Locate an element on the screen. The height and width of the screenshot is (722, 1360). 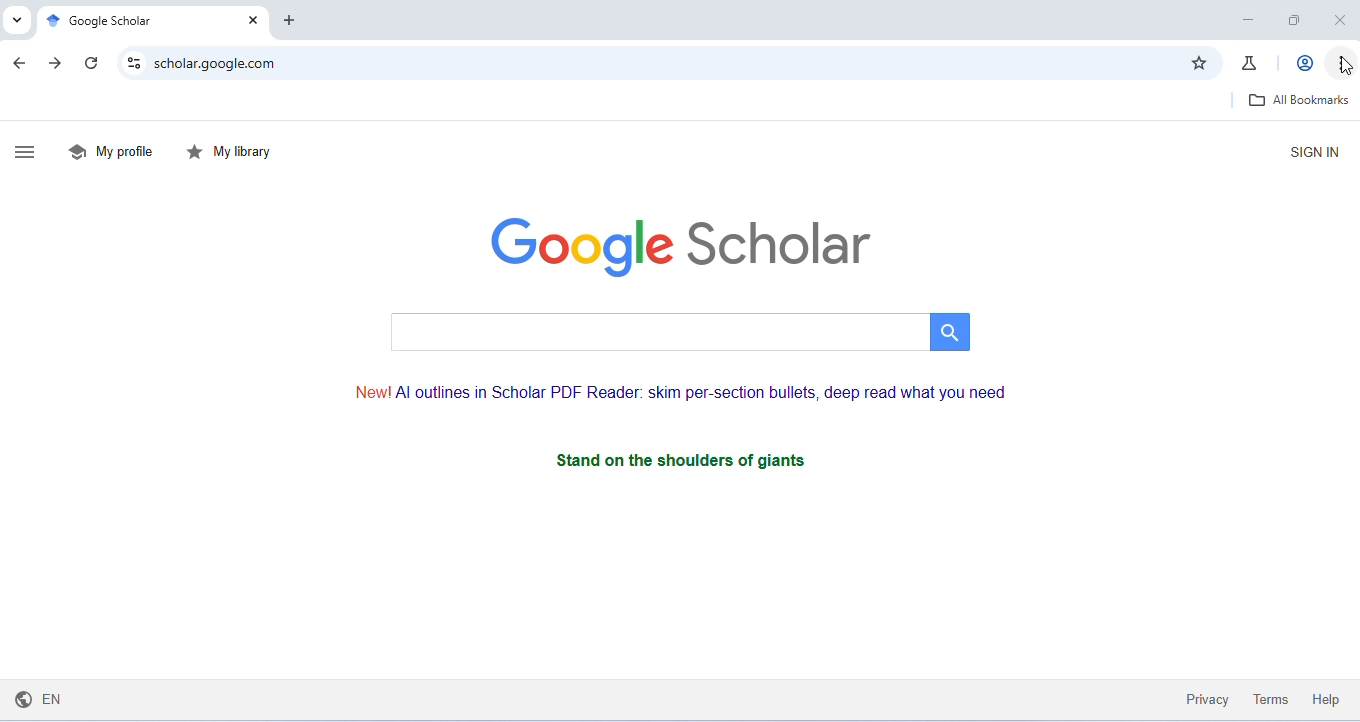
close tab is located at coordinates (251, 20).